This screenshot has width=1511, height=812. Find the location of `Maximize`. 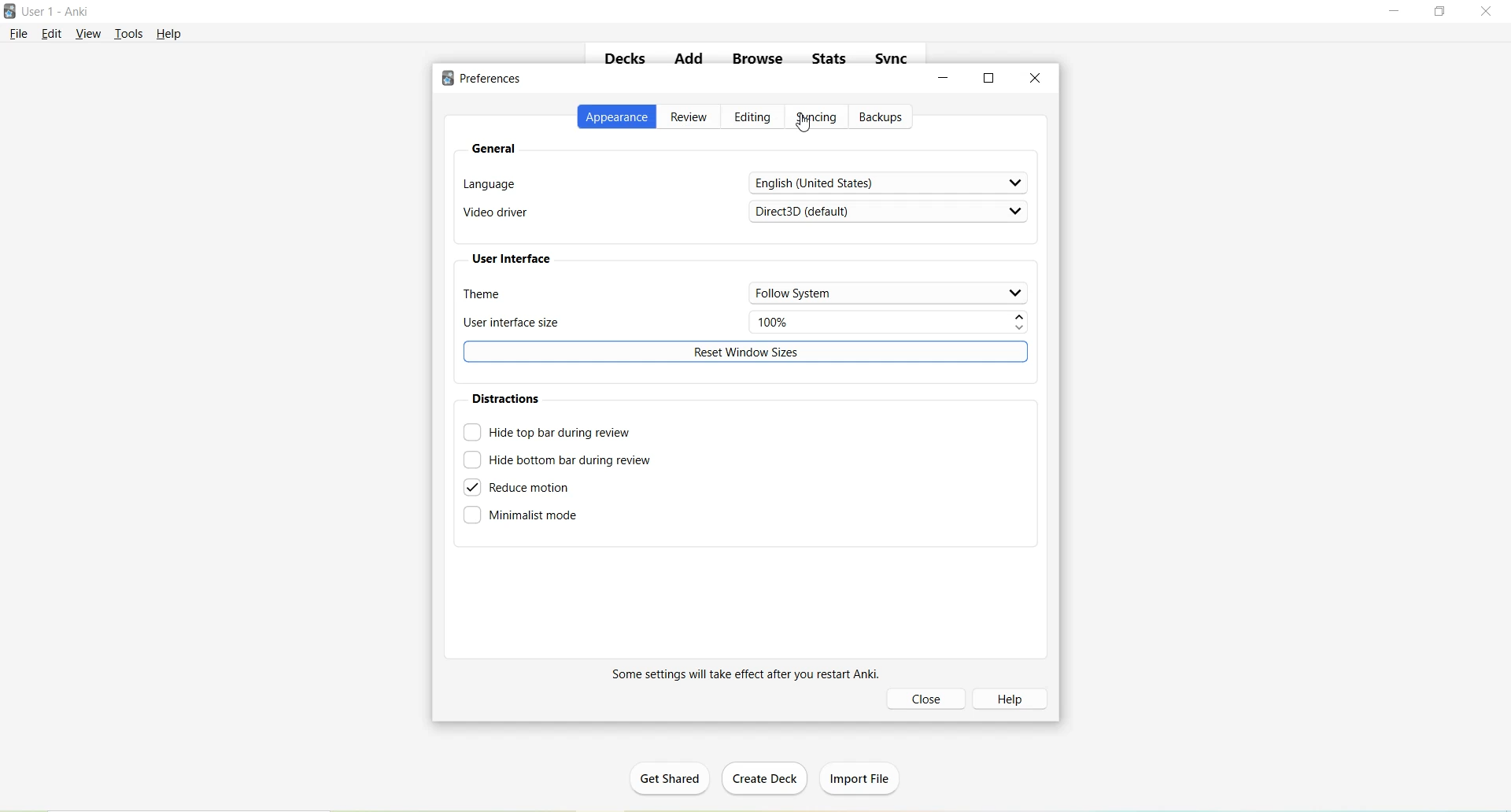

Maximize is located at coordinates (989, 77).